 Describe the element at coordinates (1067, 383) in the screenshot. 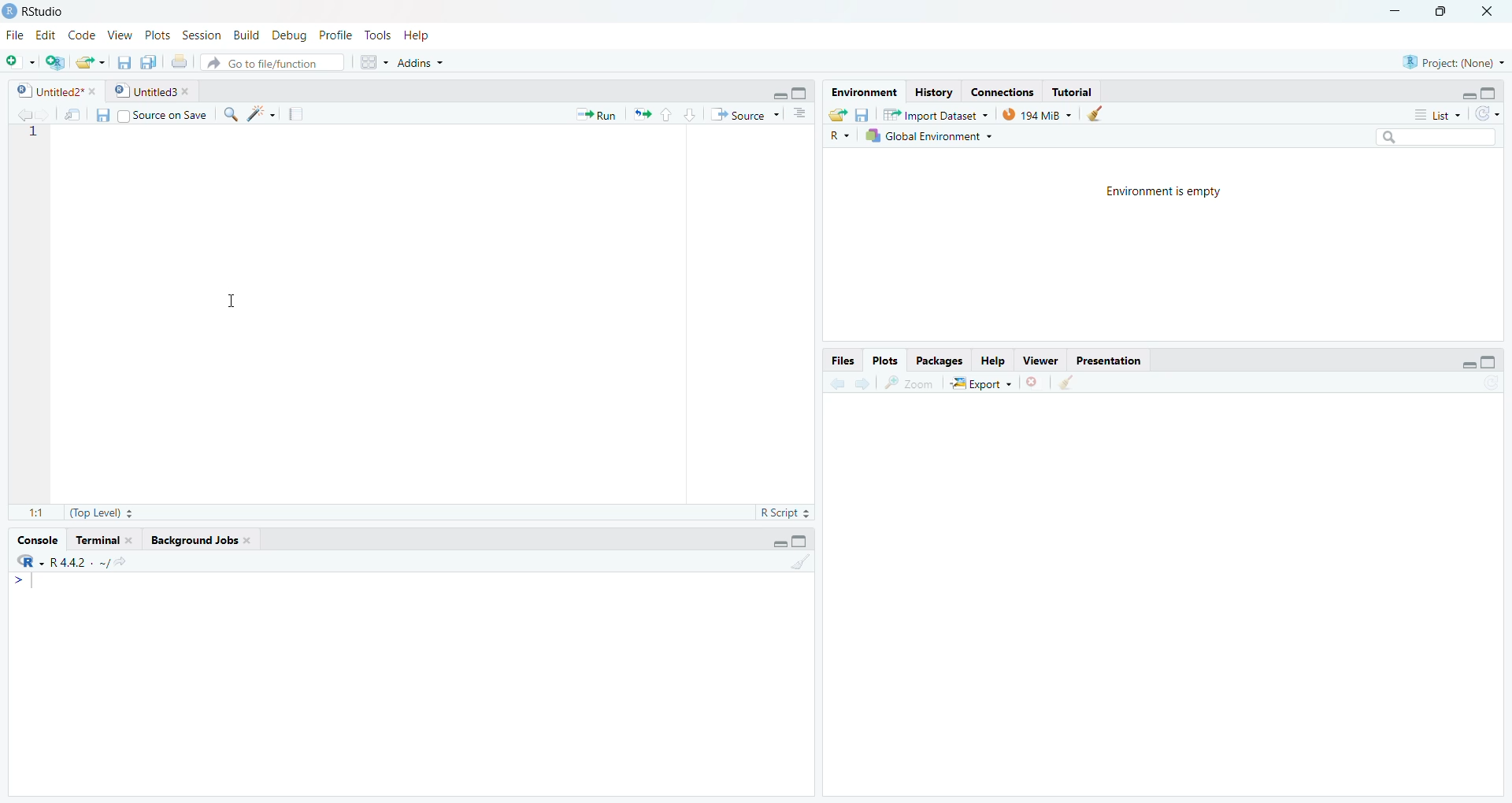

I see `cleaner` at that location.